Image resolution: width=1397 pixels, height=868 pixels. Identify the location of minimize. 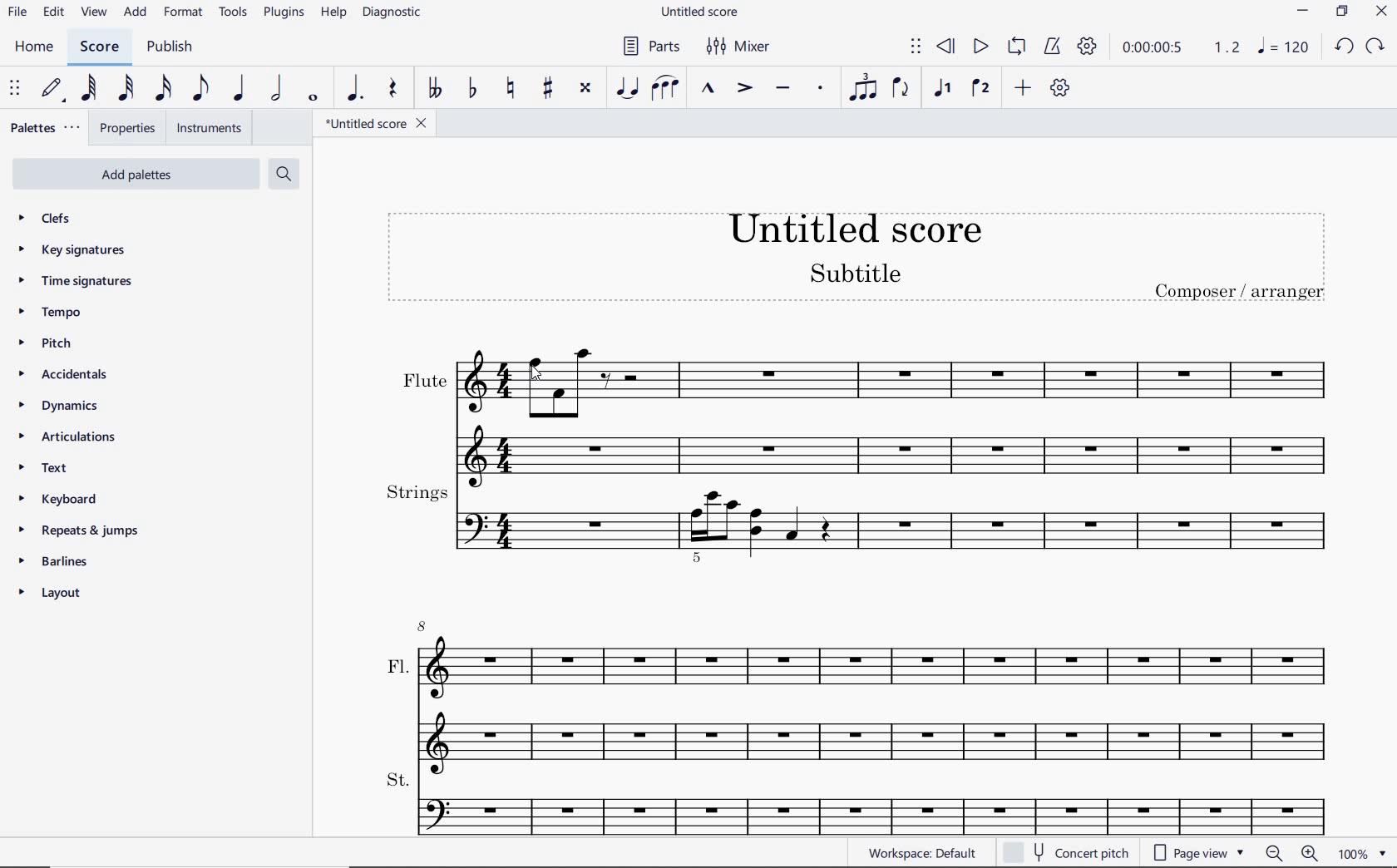
(1302, 11).